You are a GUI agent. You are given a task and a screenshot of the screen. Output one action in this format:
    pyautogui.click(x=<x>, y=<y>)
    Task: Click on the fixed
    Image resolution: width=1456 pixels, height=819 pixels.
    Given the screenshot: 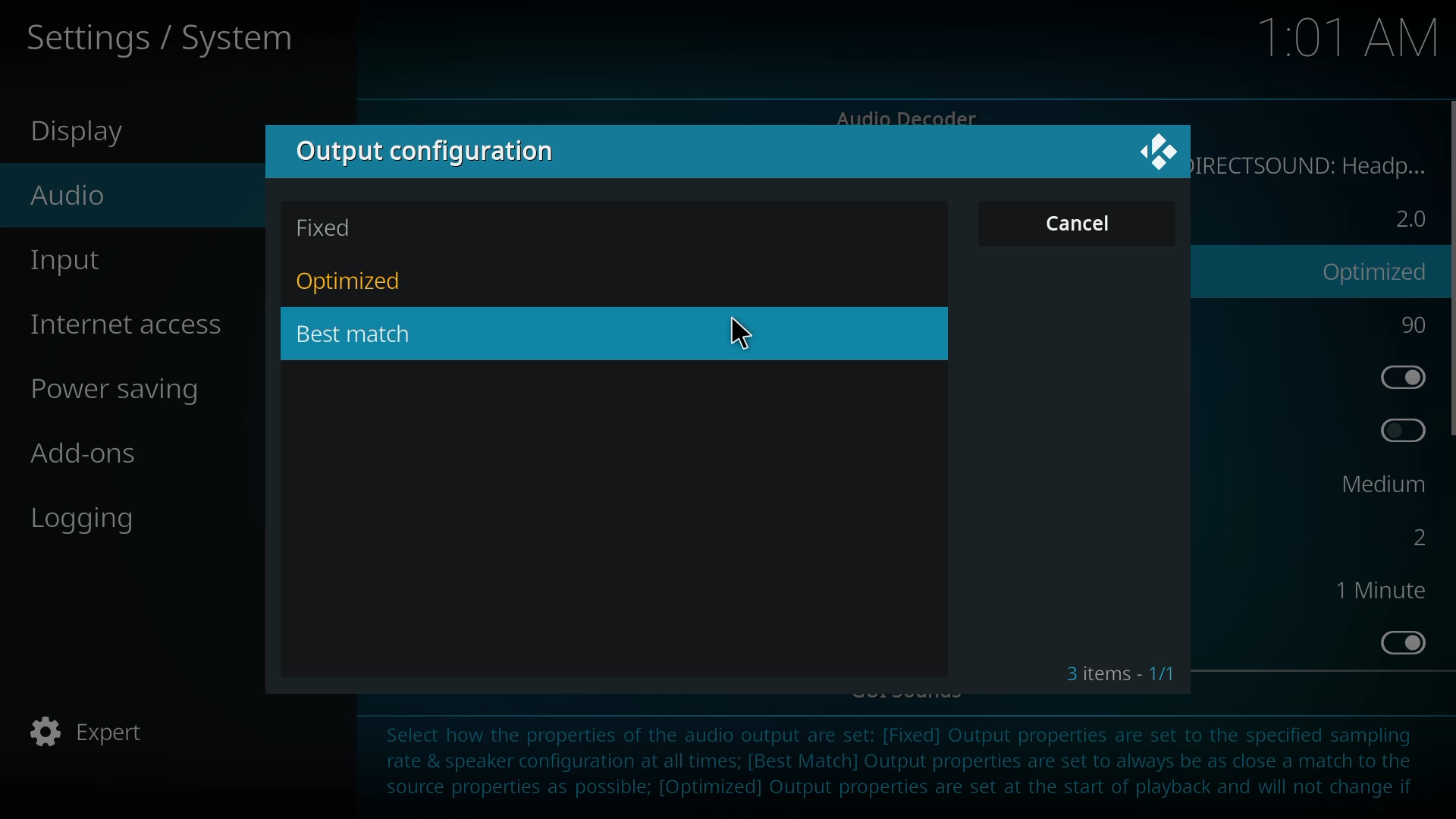 What is the action you would take?
    pyautogui.click(x=329, y=229)
    